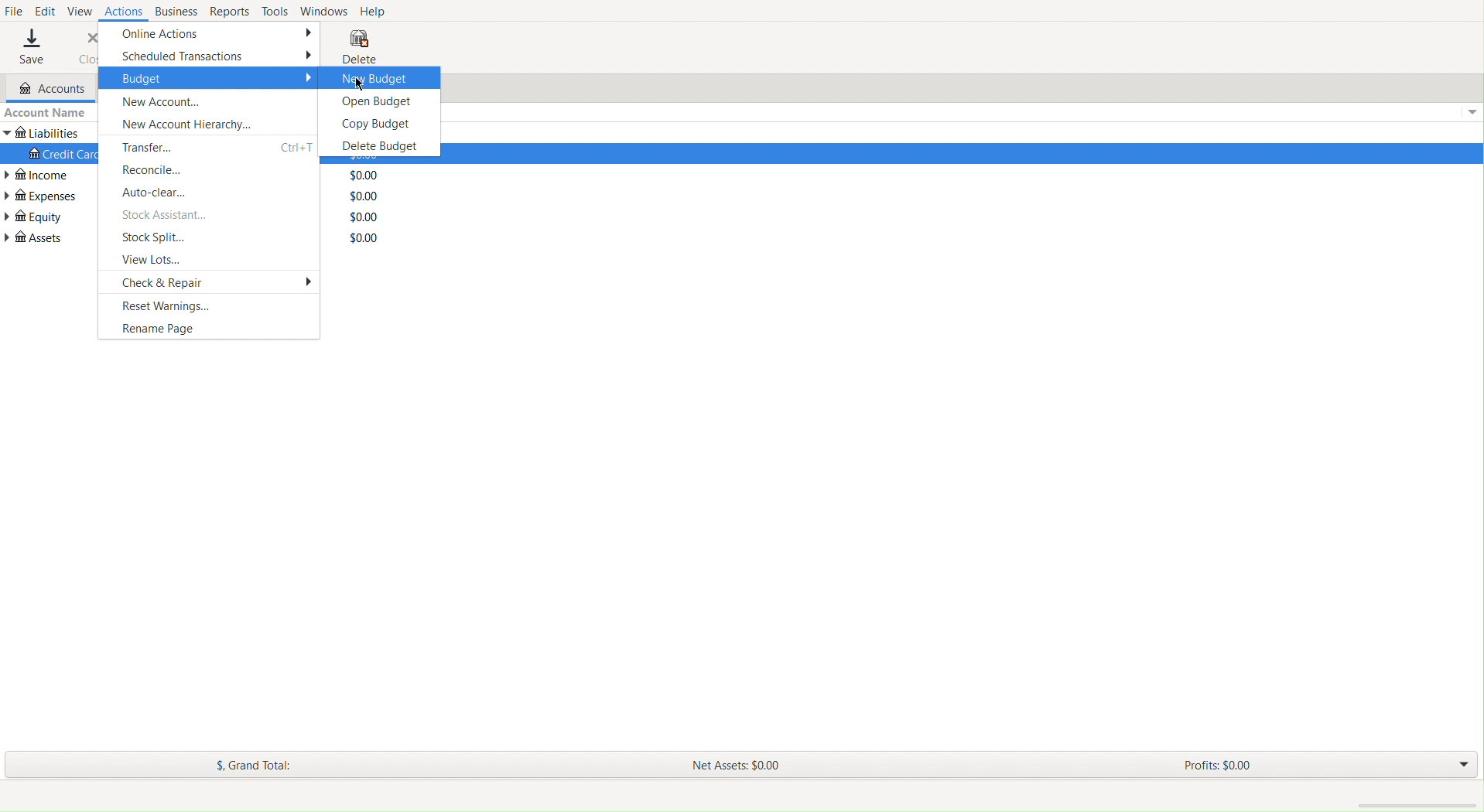 The image size is (1484, 812). Describe the element at coordinates (294, 145) in the screenshot. I see `ctrl+T` at that location.